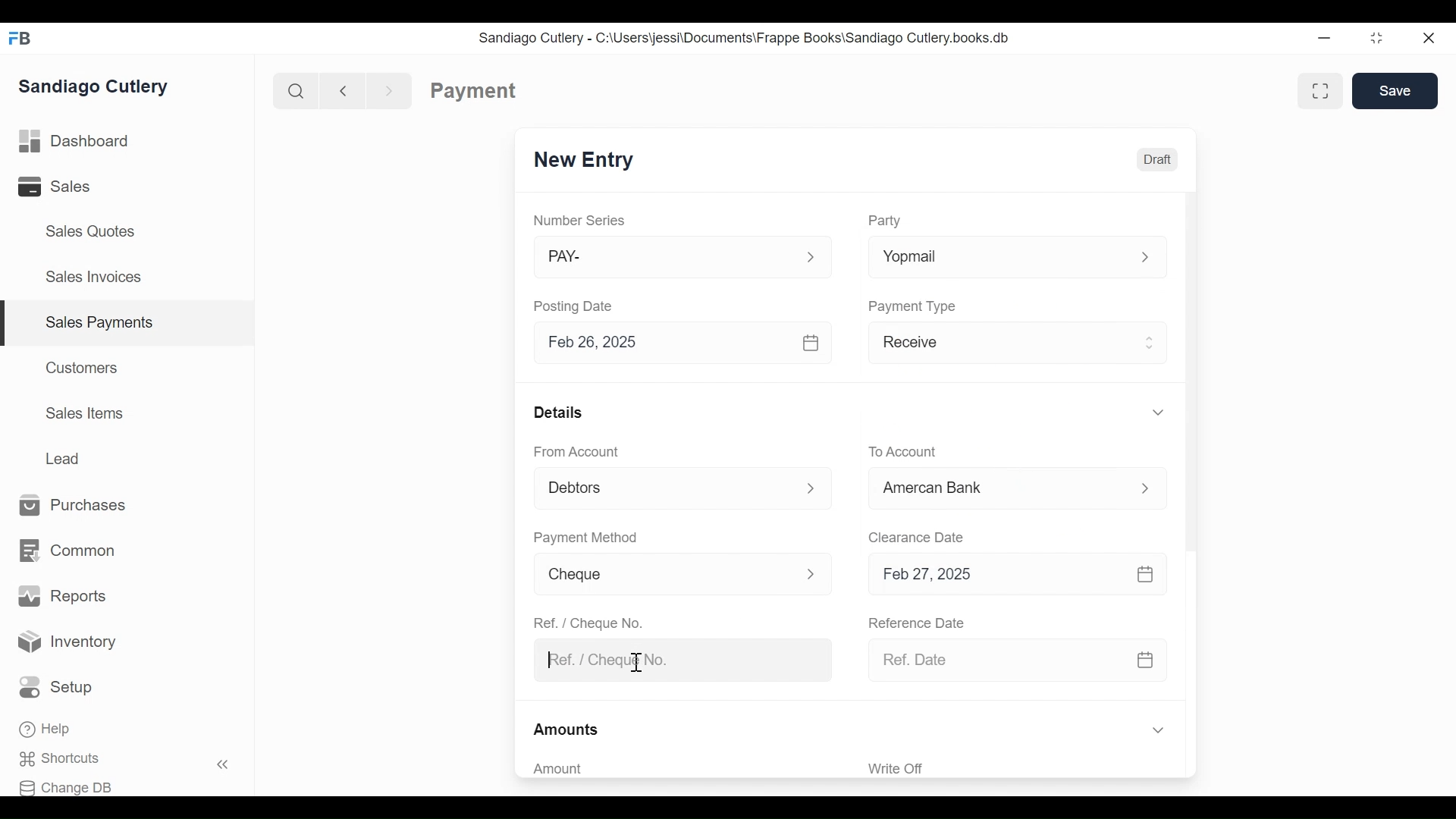  I want to click on Calendar, so click(1147, 575).